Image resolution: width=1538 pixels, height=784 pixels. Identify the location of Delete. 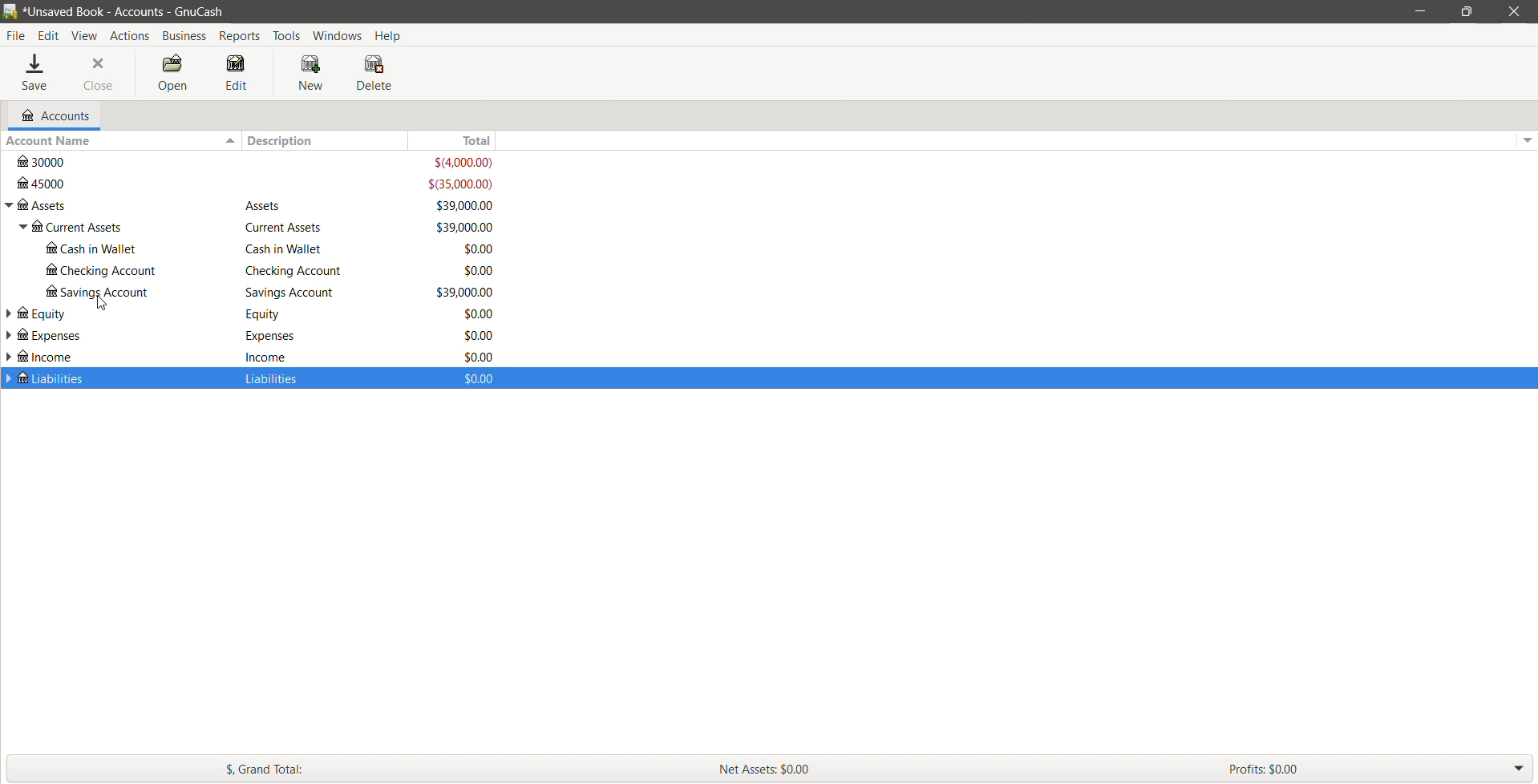
(374, 71).